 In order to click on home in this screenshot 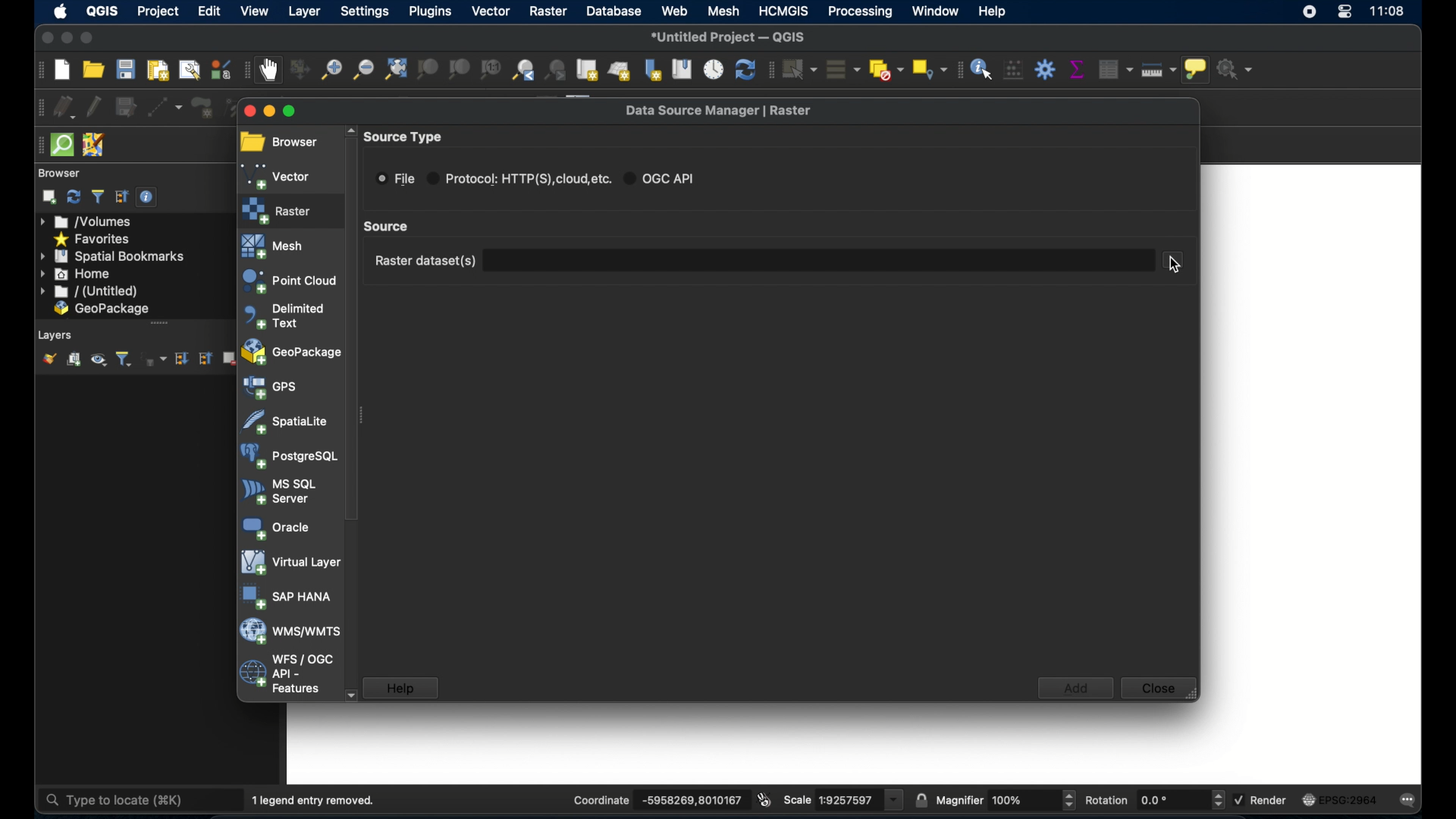, I will do `click(77, 274)`.